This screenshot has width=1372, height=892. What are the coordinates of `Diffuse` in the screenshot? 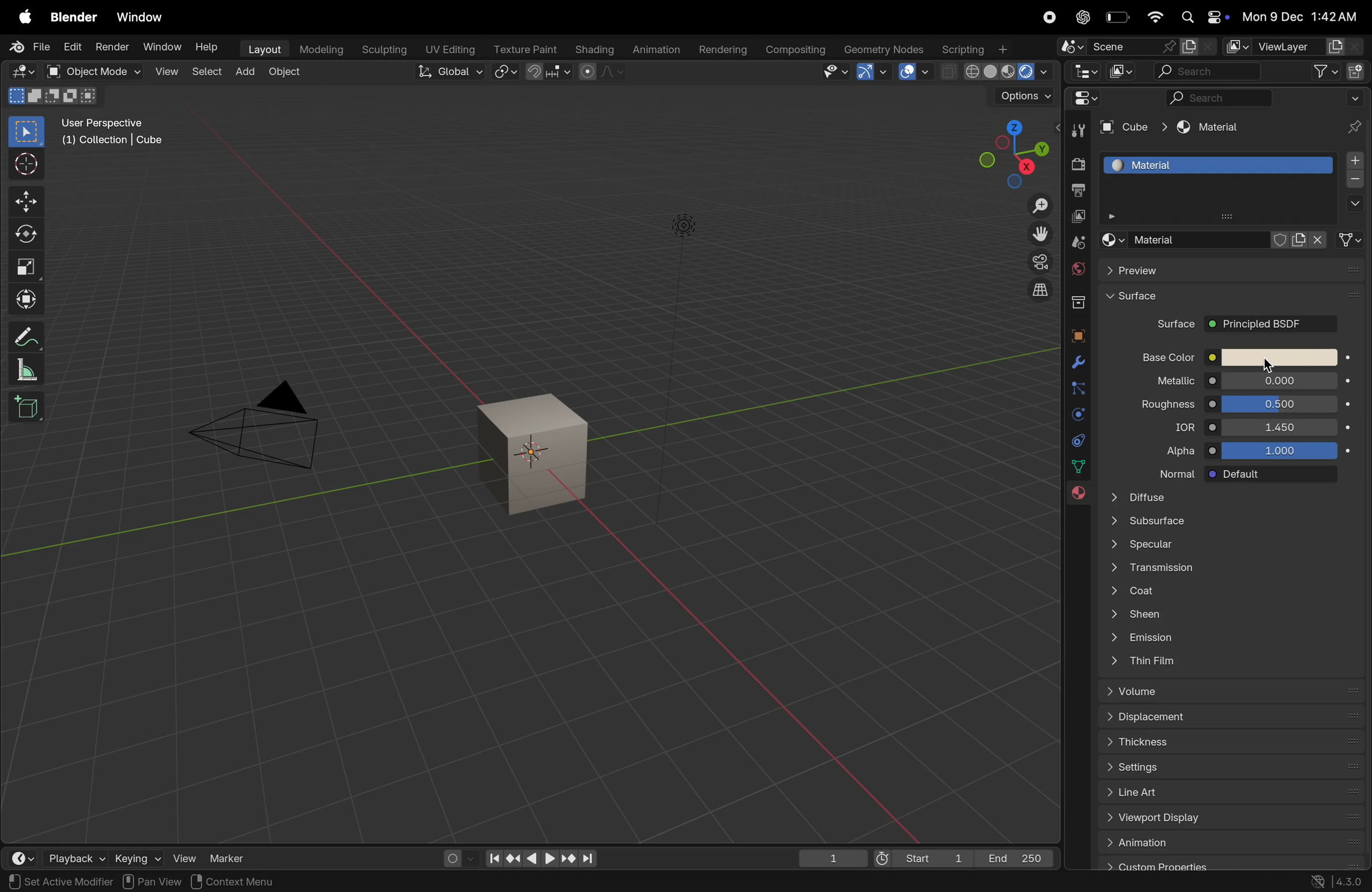 It's located at (1226, 497).